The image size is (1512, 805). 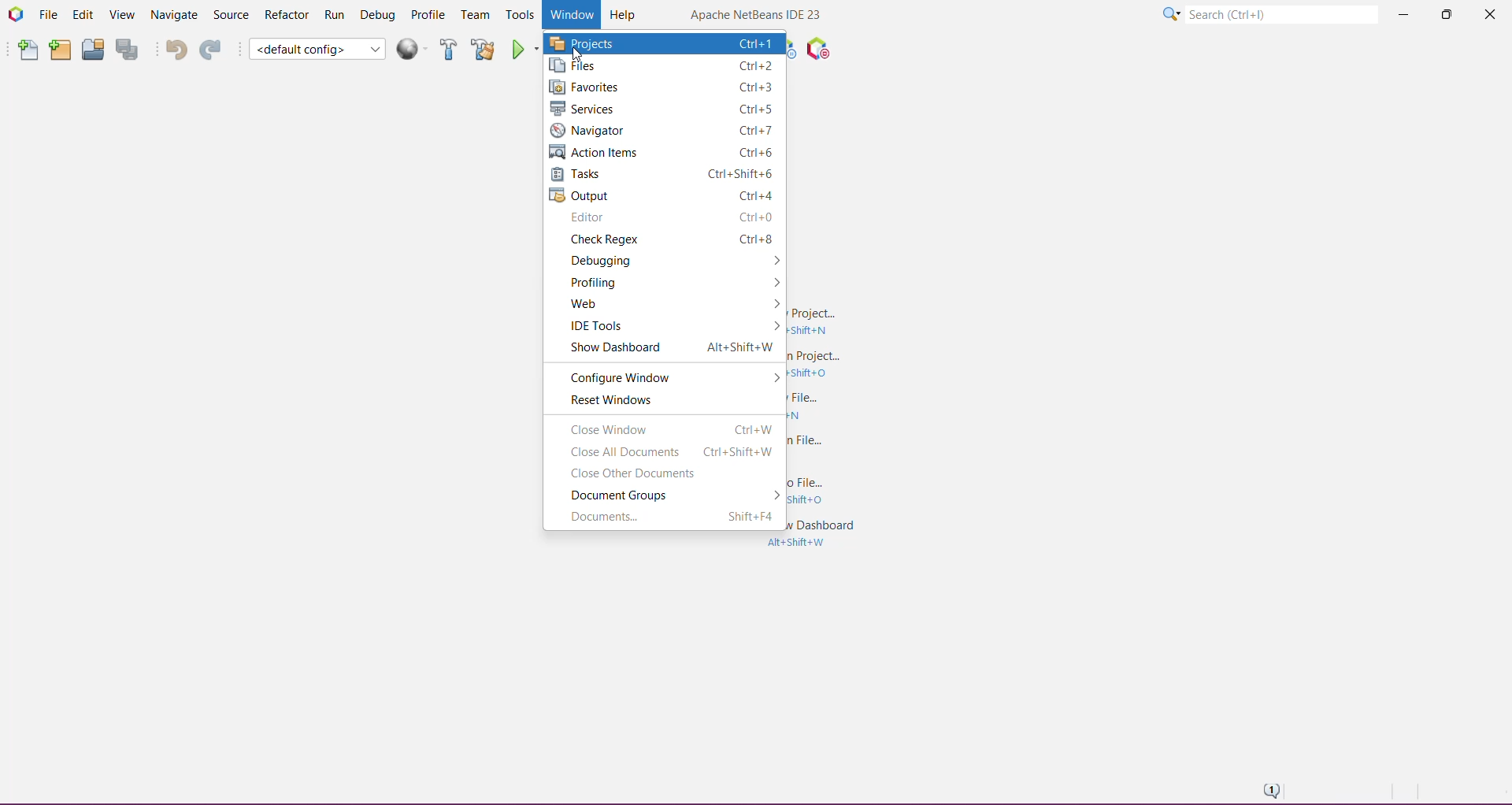 What do you see at coordinates (569, 15) in the screenshot?
I see `Window` at bounding box center [569, 15].